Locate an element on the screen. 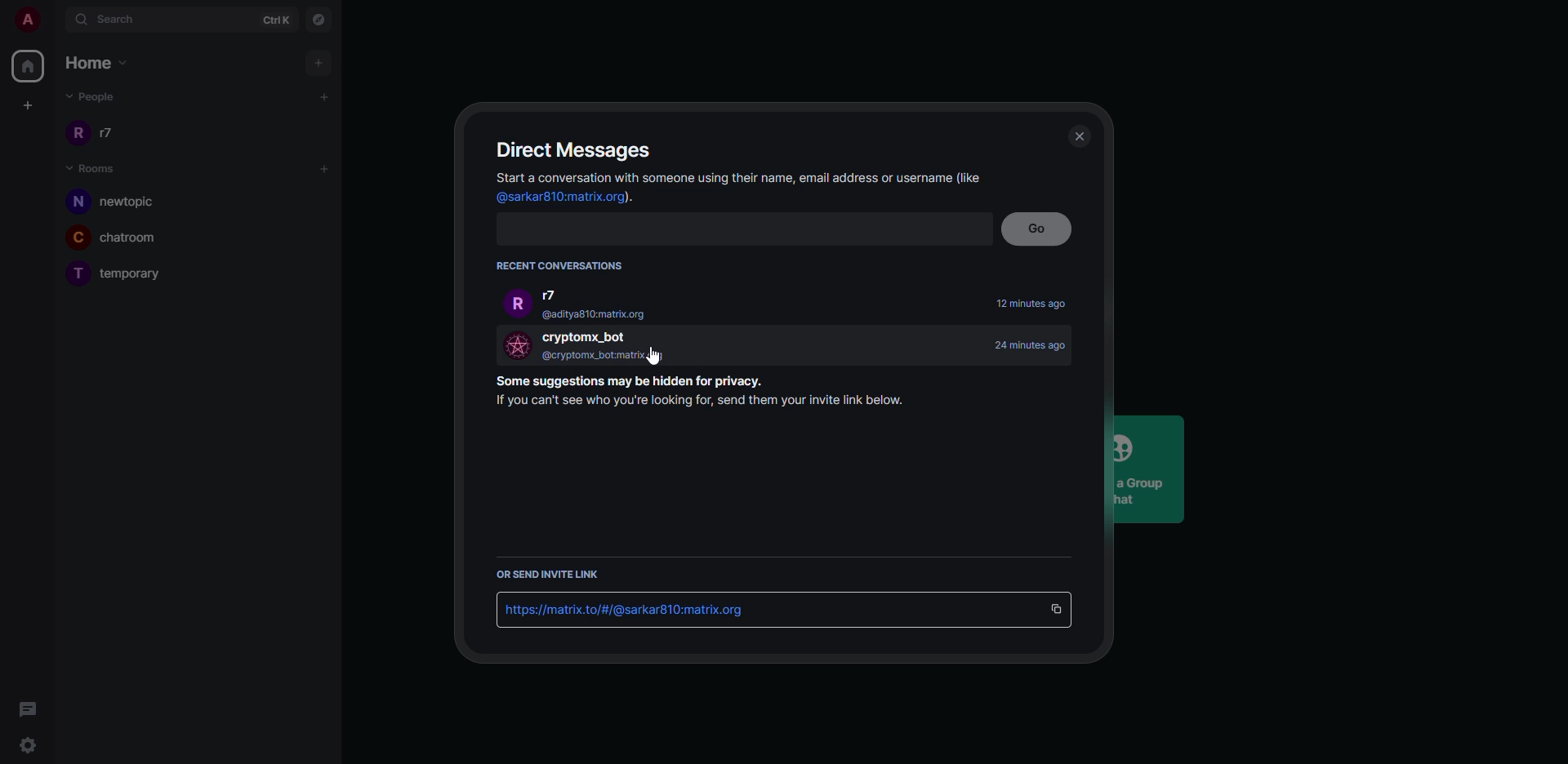 This screenshot has height=764, width=1568. T is located at coordinates (77, 275).